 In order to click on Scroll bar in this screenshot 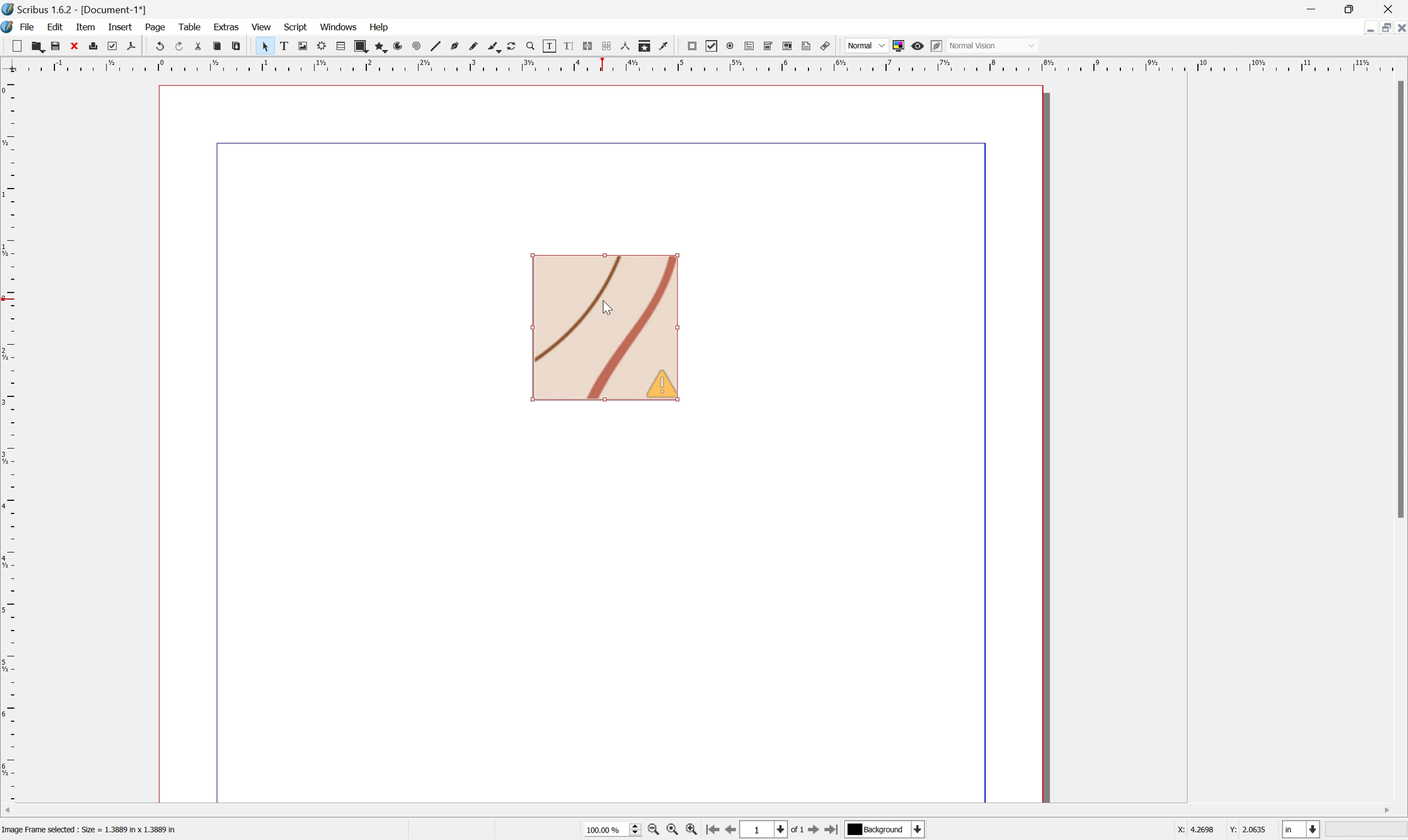, I will do `click(1399, 299)`.